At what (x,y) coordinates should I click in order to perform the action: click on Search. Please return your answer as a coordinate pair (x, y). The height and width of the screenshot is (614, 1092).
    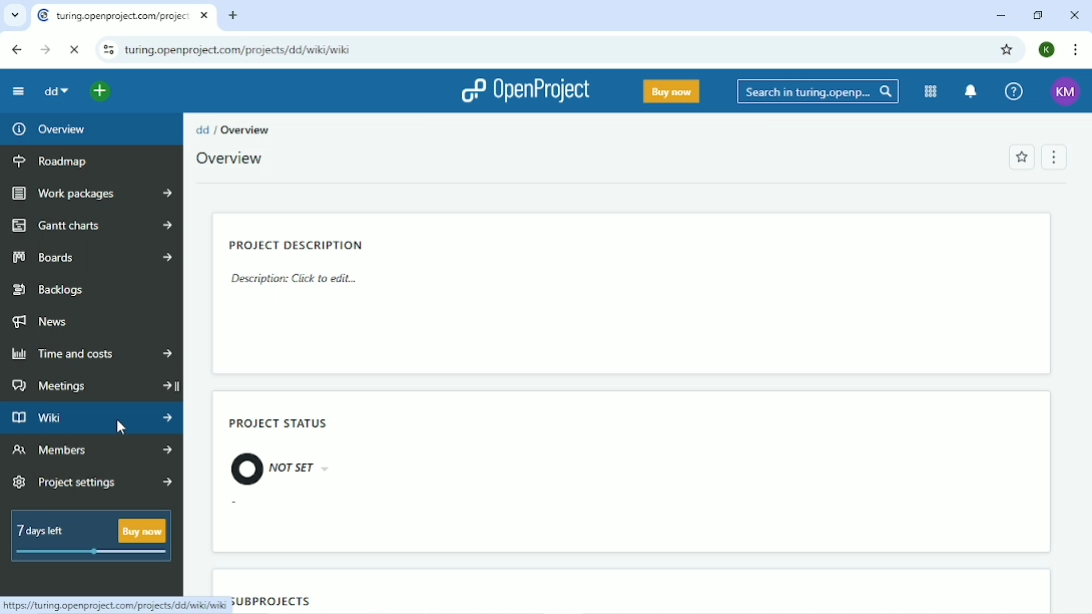
    Looking at the image, I should click on (818, 92).